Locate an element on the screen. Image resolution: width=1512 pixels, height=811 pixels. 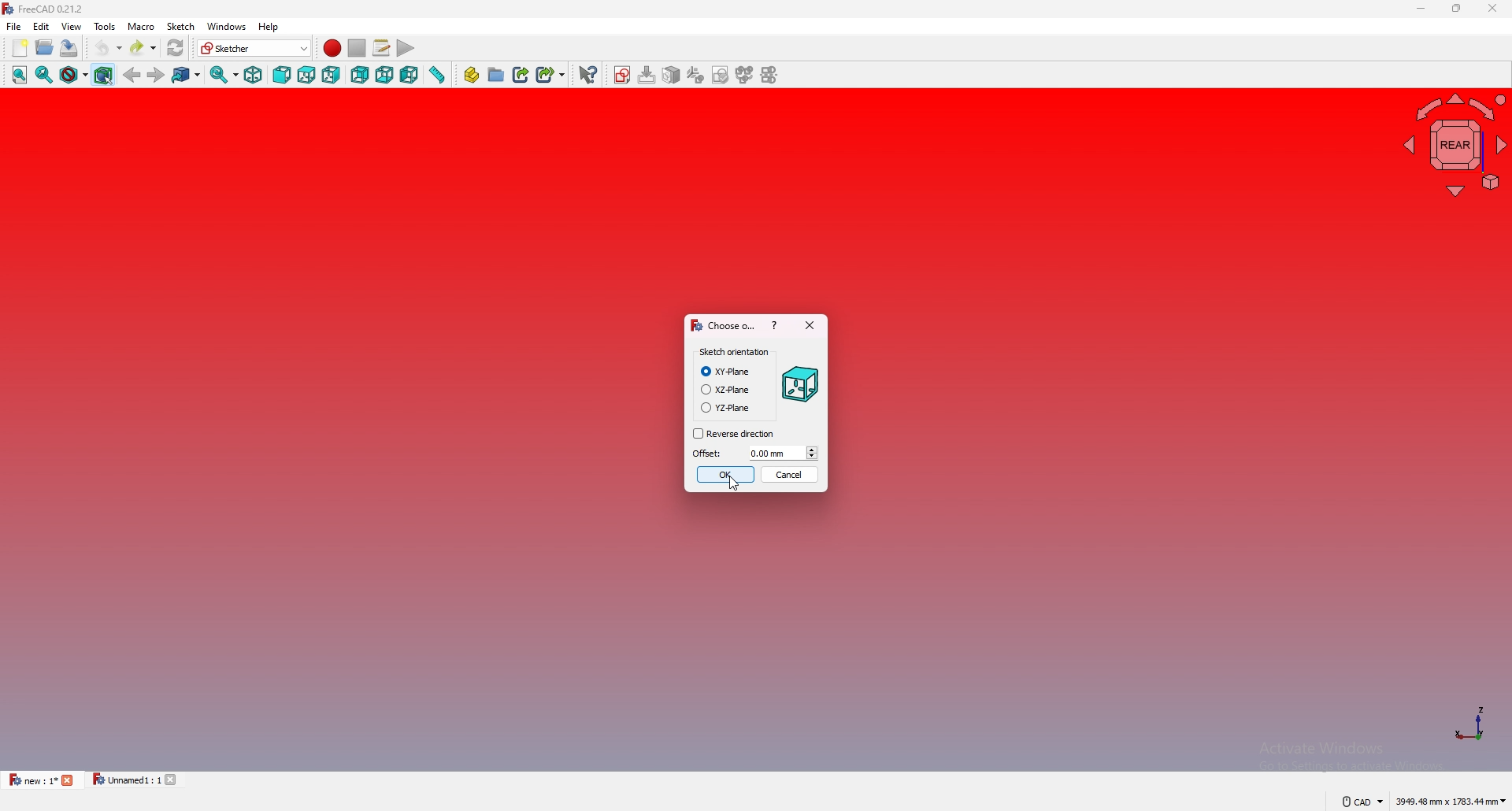
new is located at coordinates (18, 48).